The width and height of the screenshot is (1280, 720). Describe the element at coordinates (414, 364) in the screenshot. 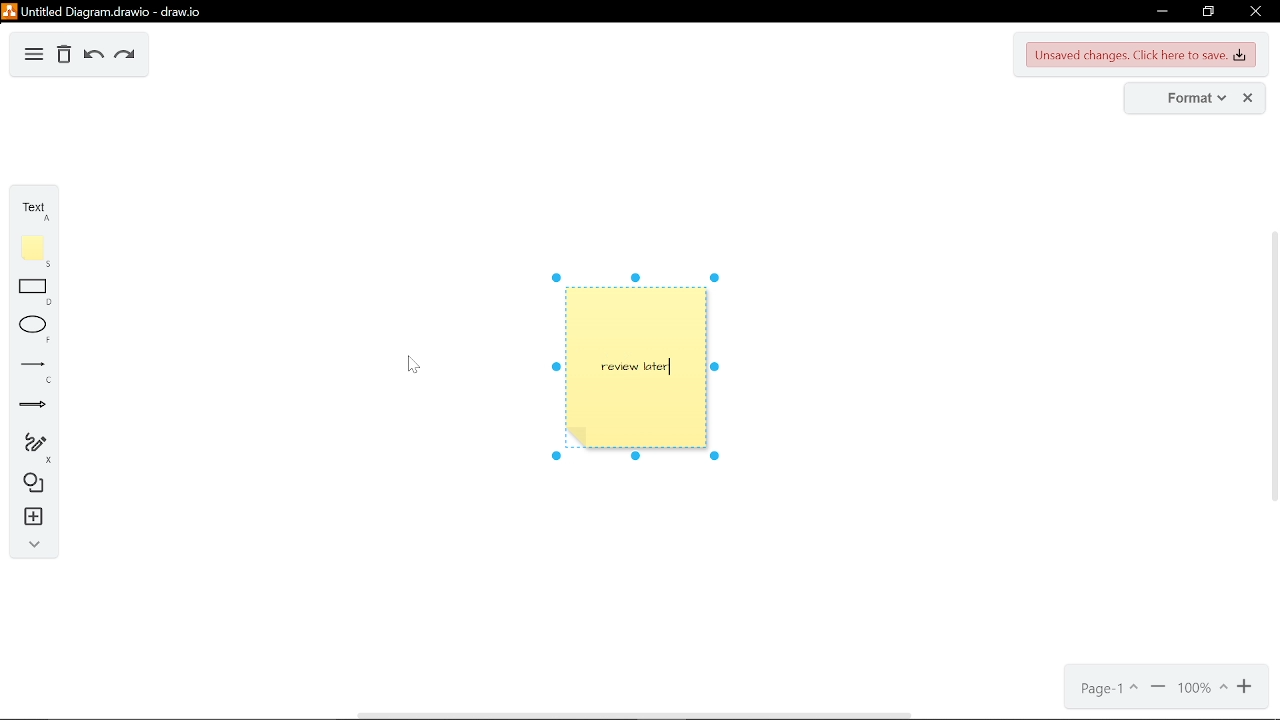

I see `Cursor` at that location.